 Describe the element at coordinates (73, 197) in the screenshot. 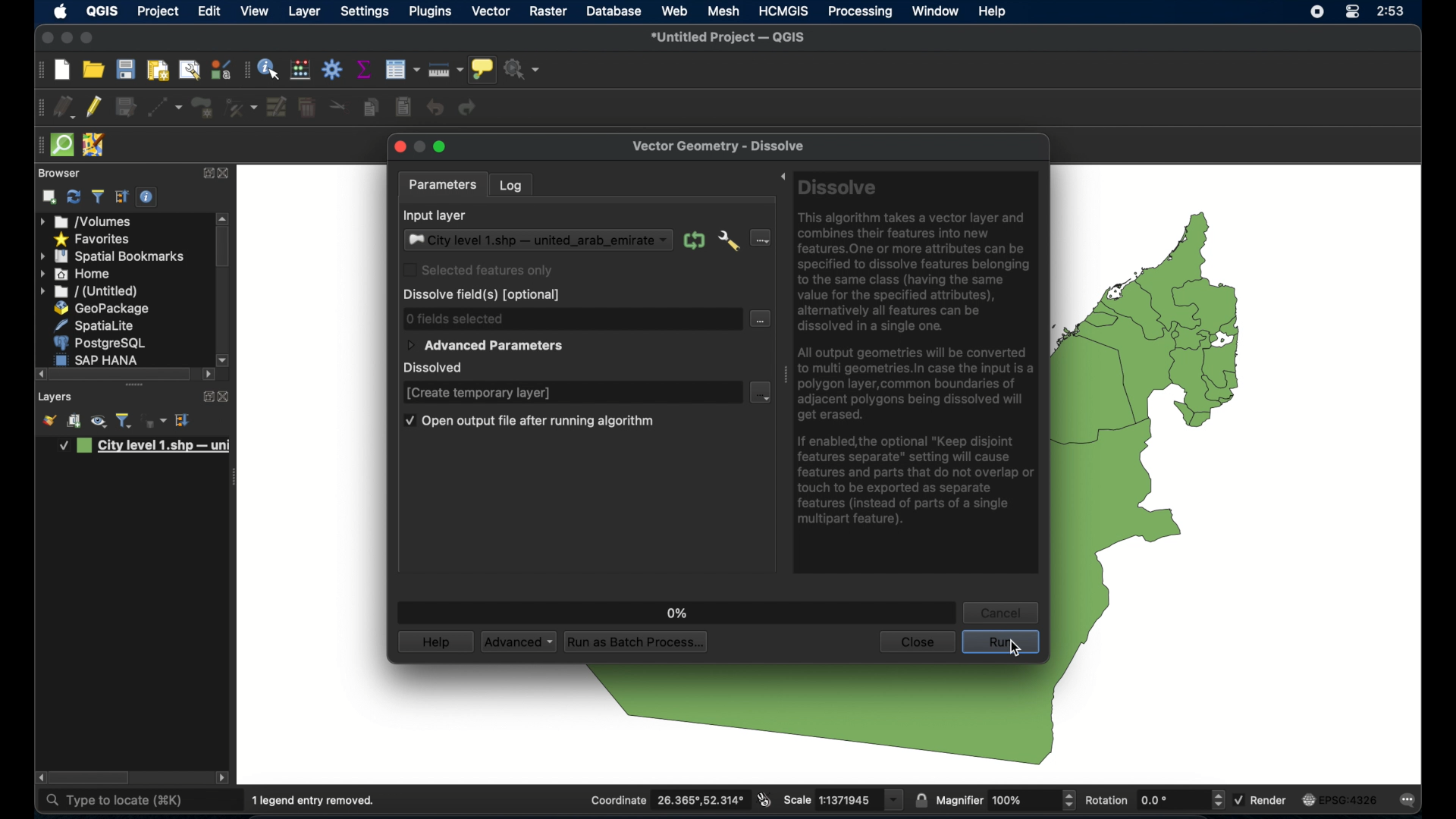

I see `refresh` at that location.